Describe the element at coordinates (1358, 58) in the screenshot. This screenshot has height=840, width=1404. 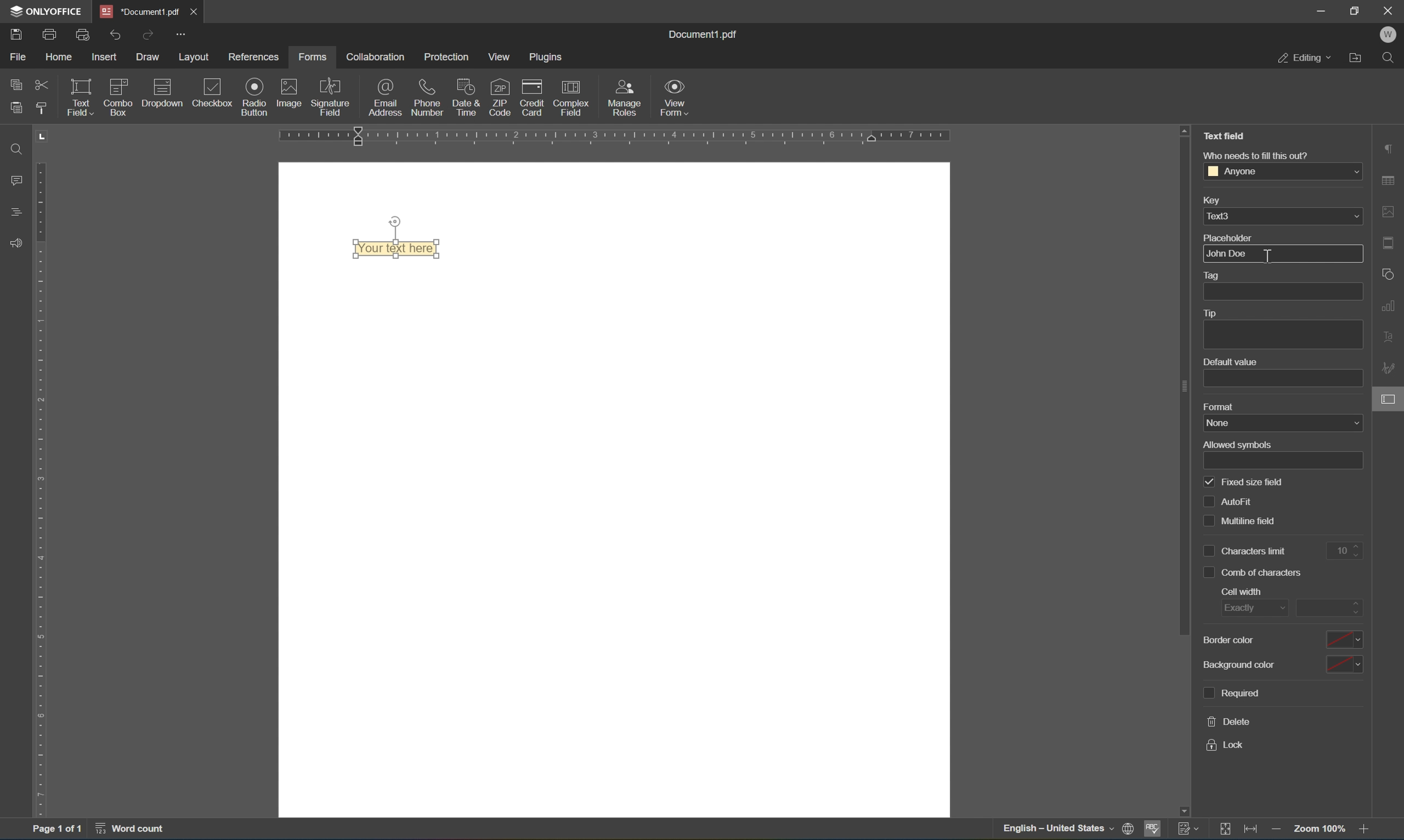
I see `open file location` at that location.